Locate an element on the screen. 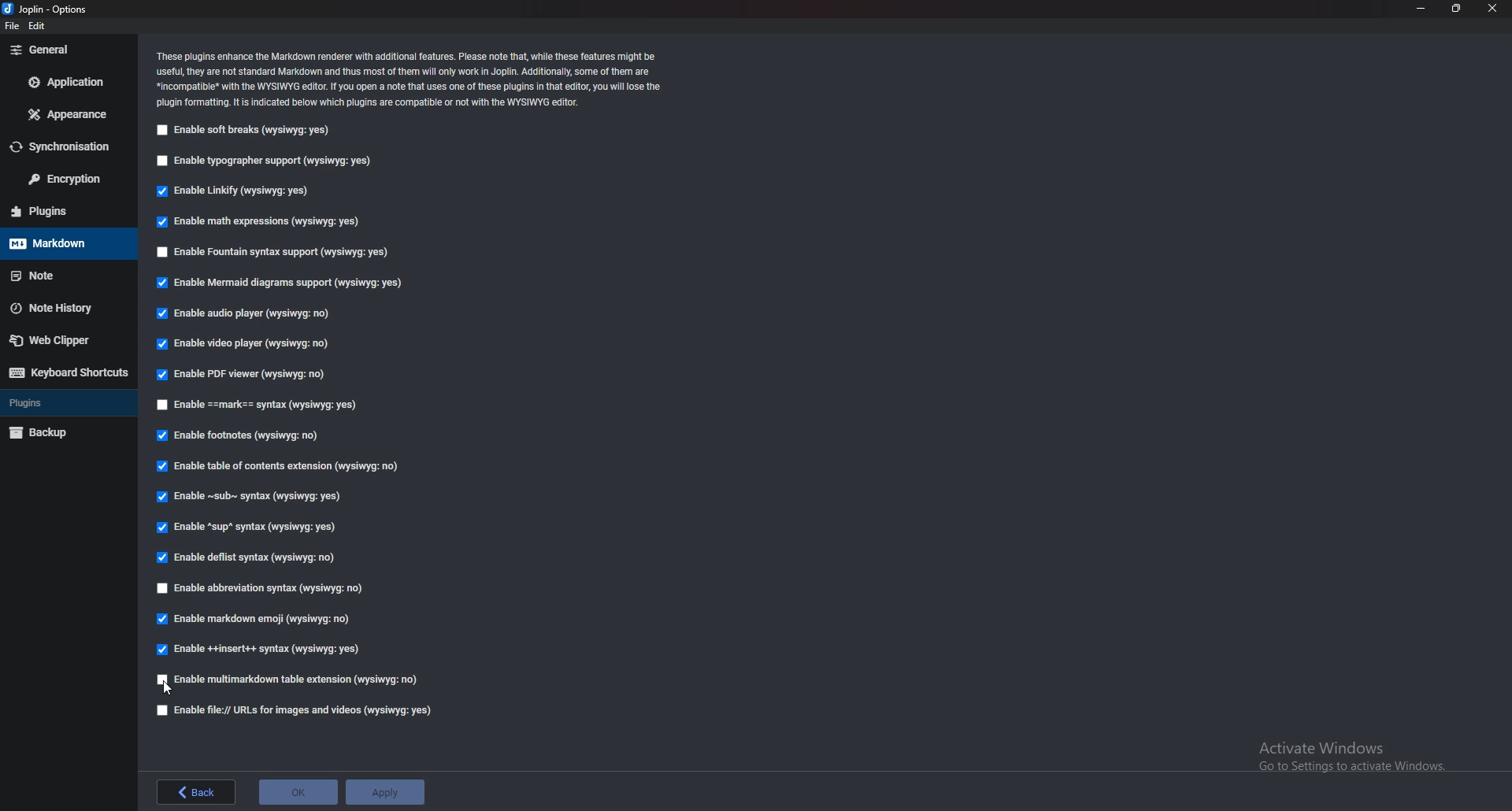  Enable Linkify is located at coordinates (235, 191).